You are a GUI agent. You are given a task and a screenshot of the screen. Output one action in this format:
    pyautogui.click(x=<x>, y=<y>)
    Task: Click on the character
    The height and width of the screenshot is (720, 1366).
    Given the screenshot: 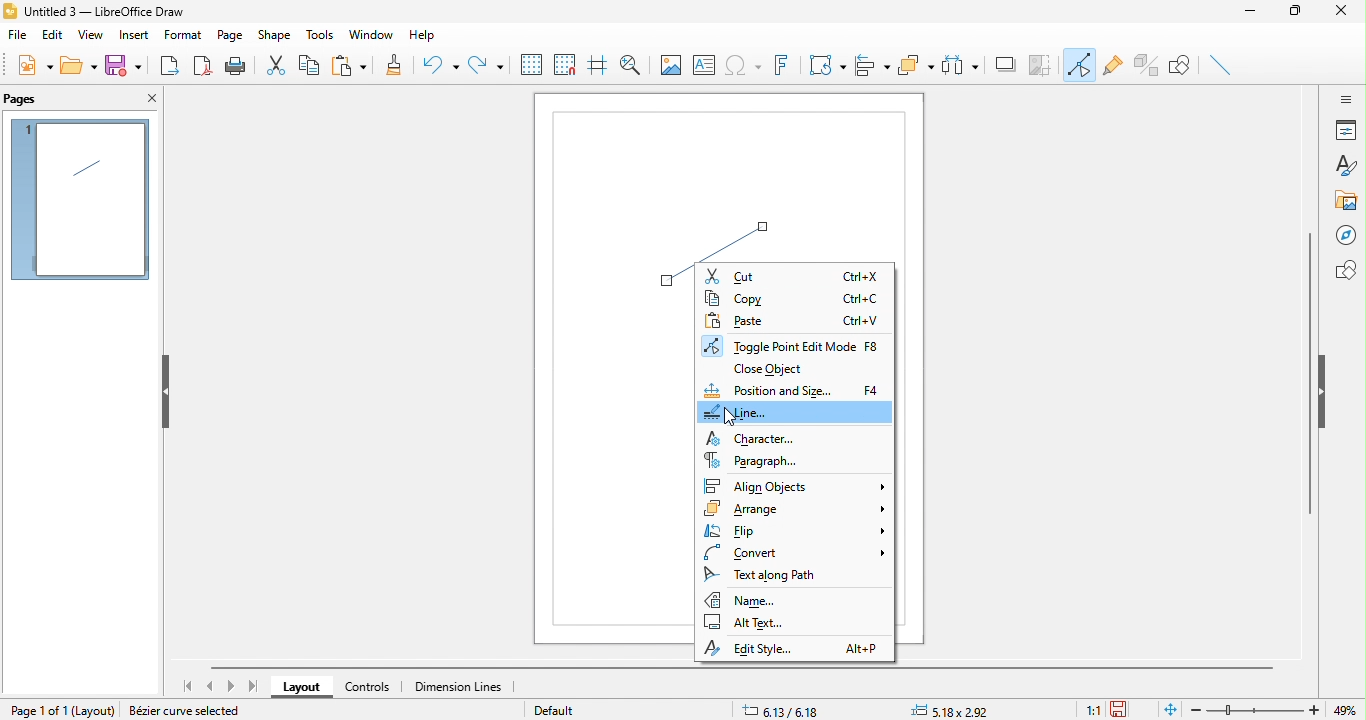 What is the action you would take?
    pyautogui.click(x=753, y=438)
    